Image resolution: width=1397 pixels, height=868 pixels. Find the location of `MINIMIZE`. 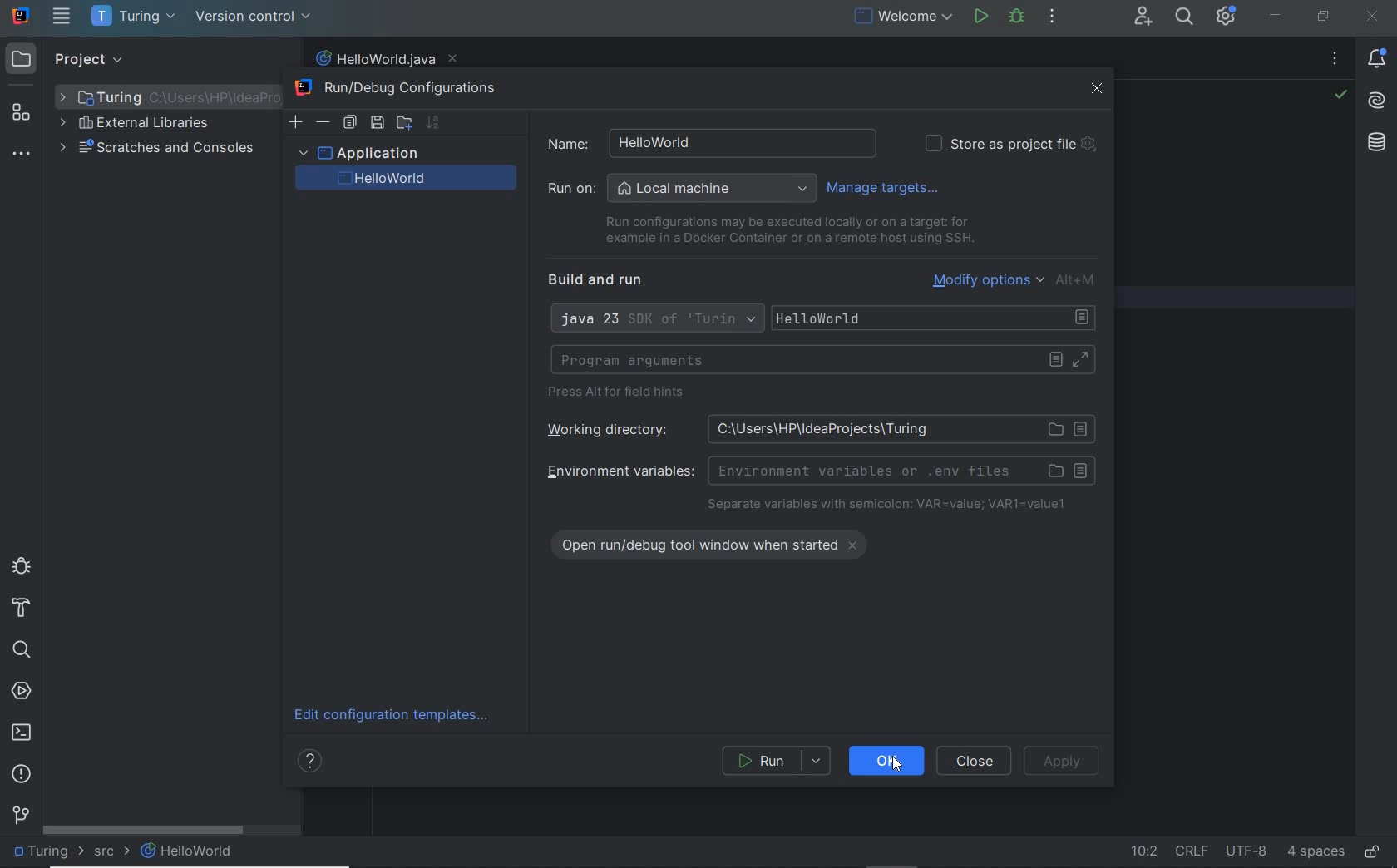

MINIMIZE is located at coordinates (1275, 16).